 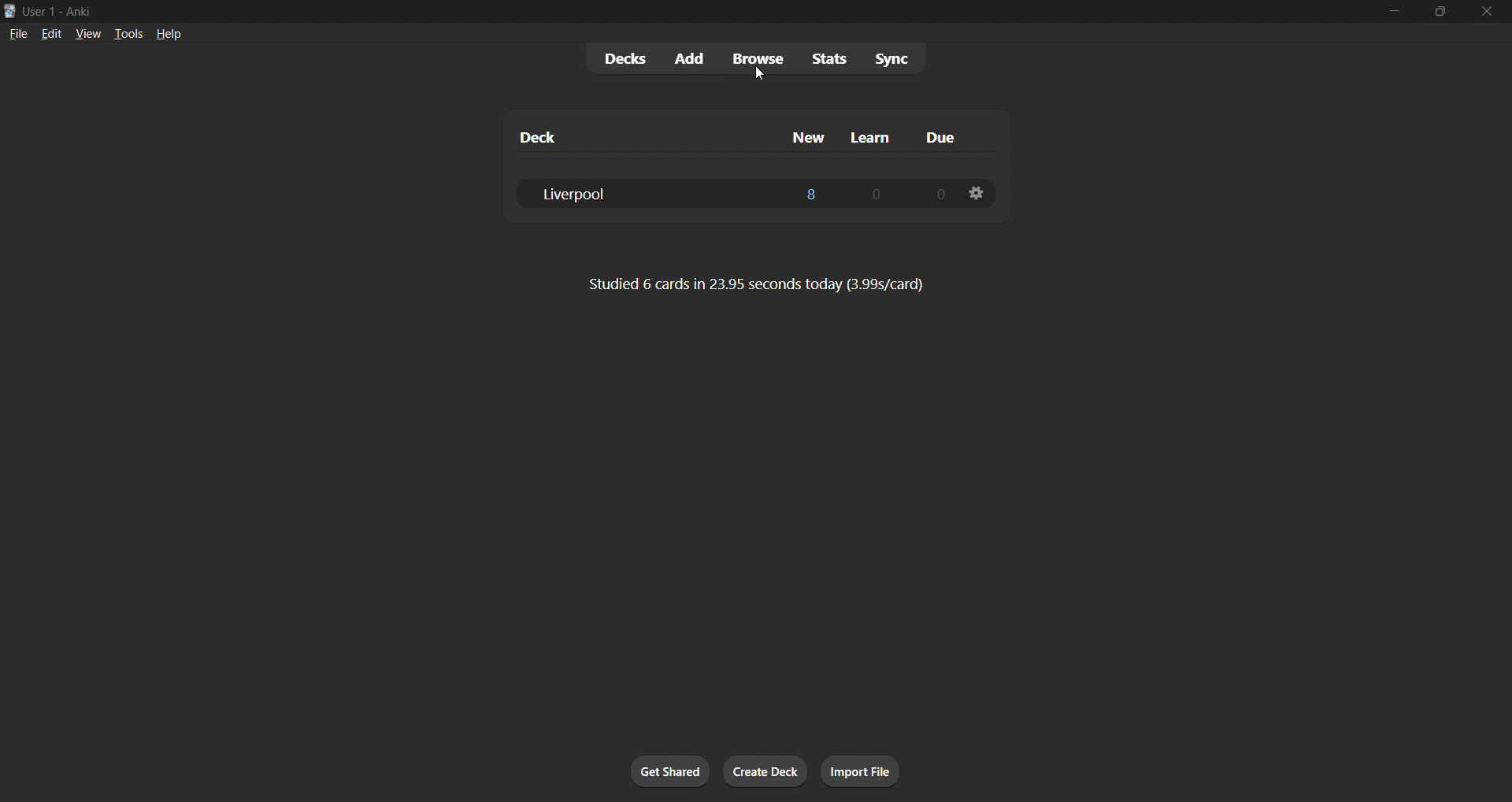 What do you see at coordinates (805, 136) in the screenshot?
I see `new column` at bounding box center [805, 136].